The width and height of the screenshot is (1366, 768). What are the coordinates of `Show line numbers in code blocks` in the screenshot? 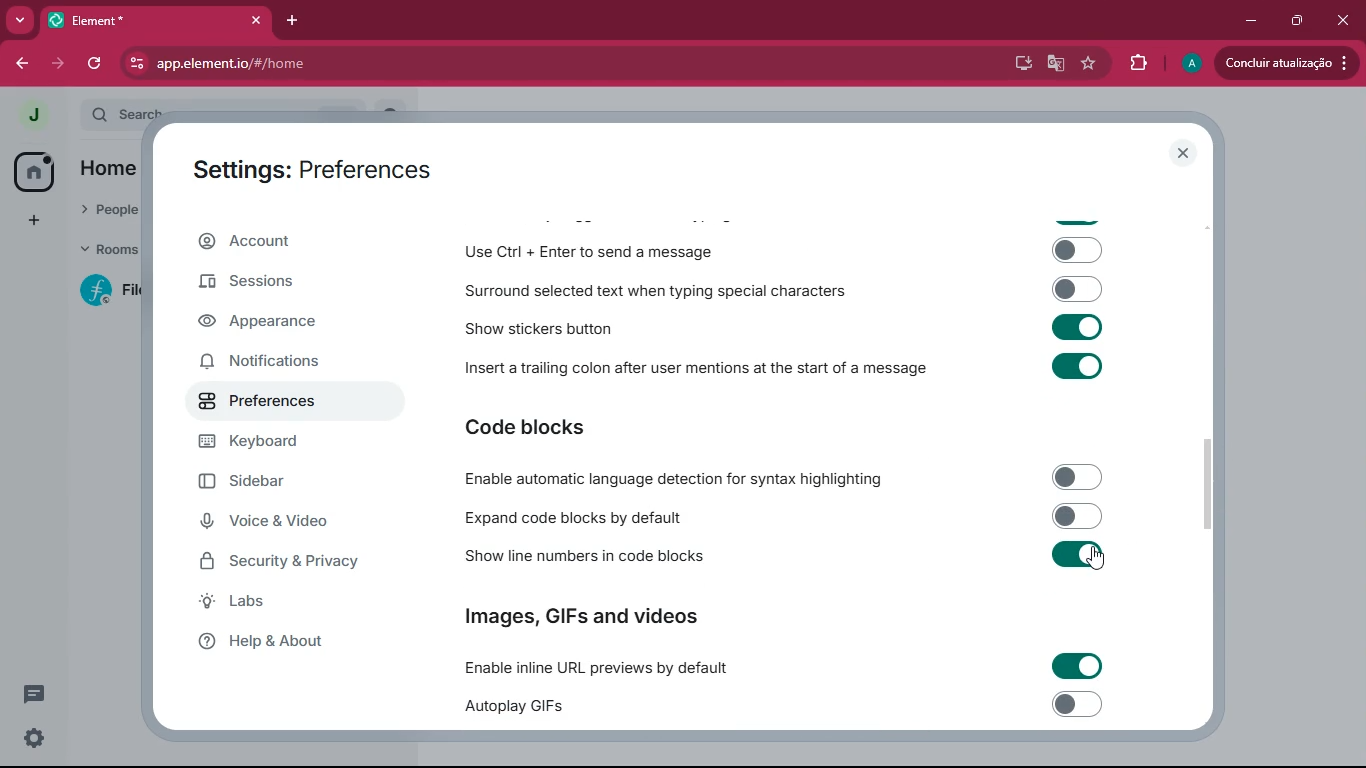 It's located at (781, 558).